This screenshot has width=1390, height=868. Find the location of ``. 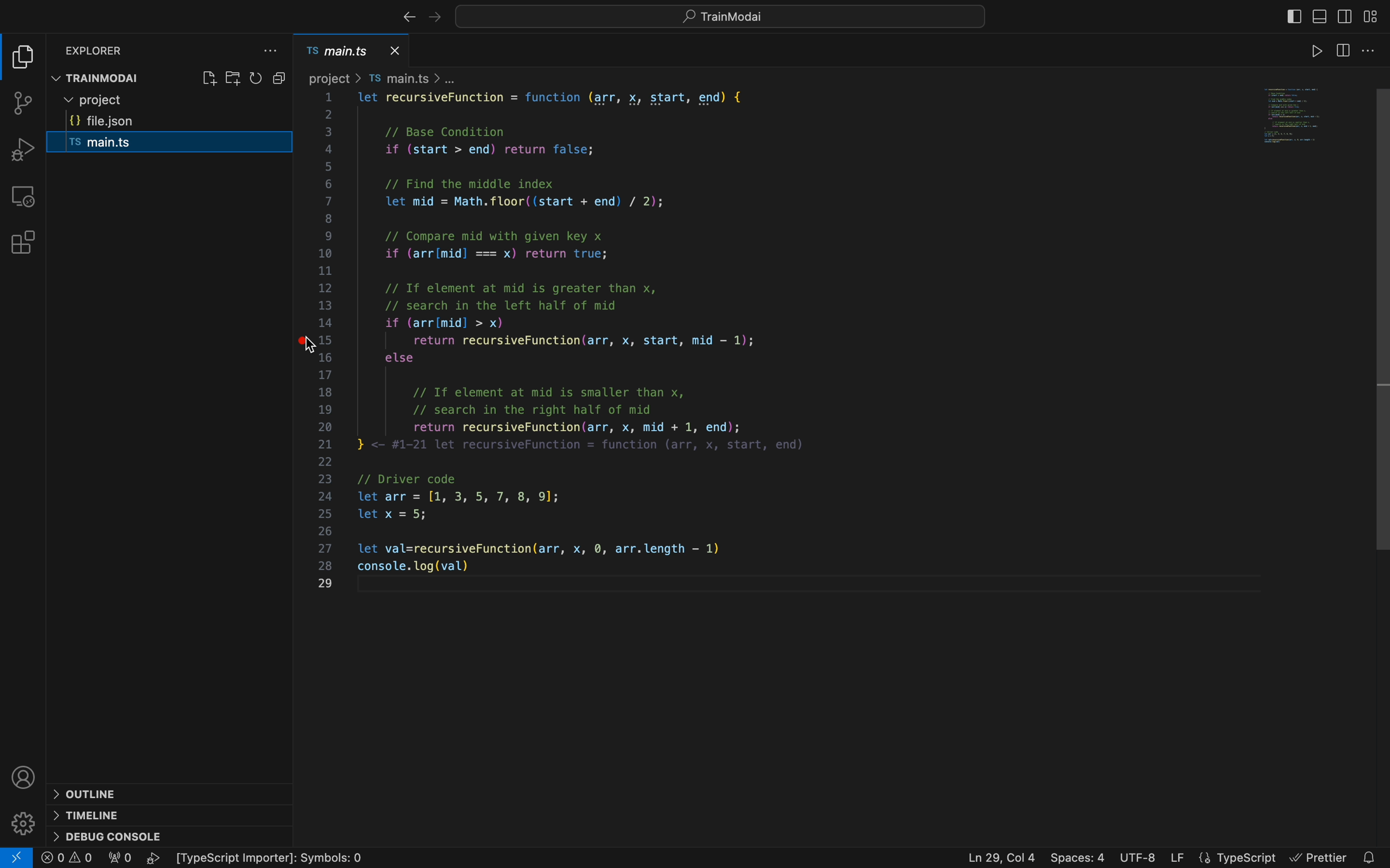

 is located at coordinates (17, 856).